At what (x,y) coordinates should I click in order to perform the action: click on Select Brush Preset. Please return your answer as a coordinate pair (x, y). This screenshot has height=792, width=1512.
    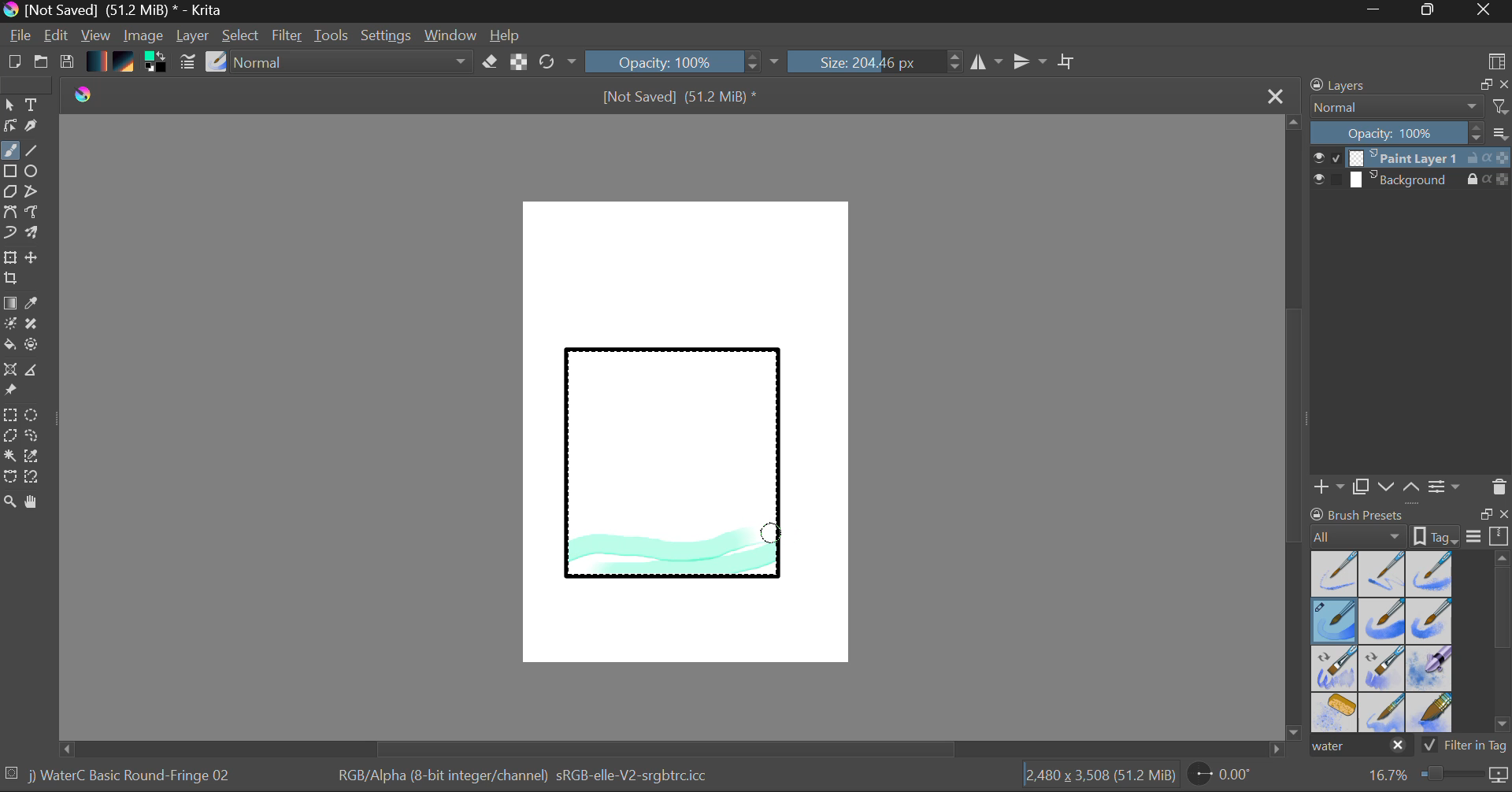
    Looking at the image, I should click on (217, 62).